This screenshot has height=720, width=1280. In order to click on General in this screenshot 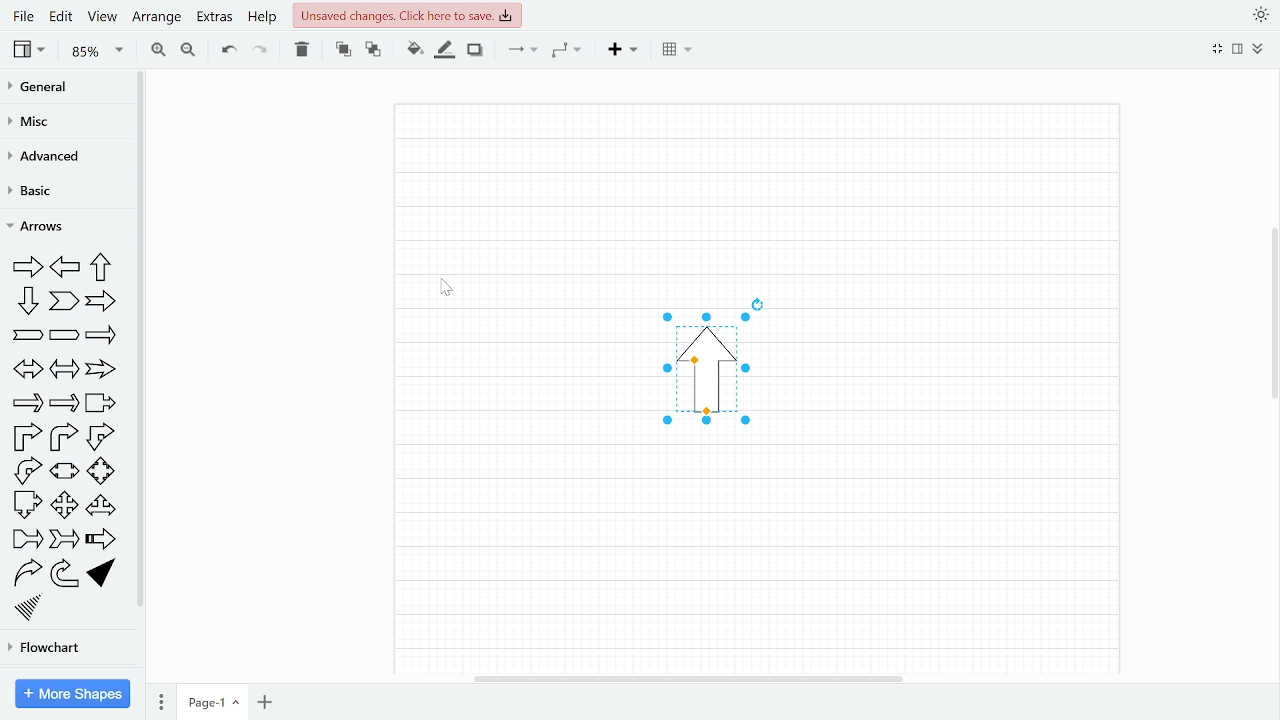, I will do `click(43, 89)`.